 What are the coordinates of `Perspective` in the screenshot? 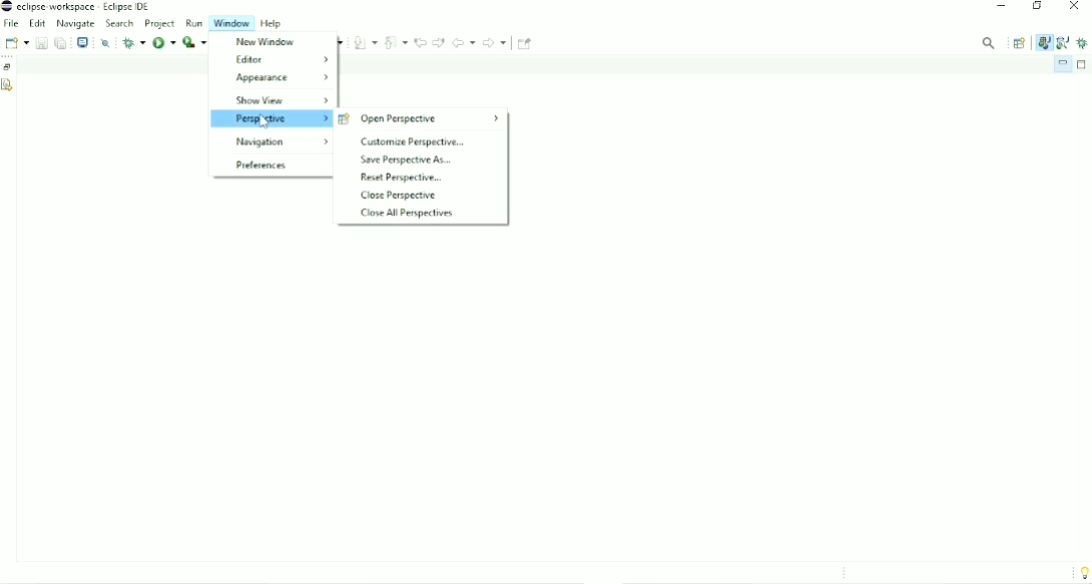 It's located at (270, 119).